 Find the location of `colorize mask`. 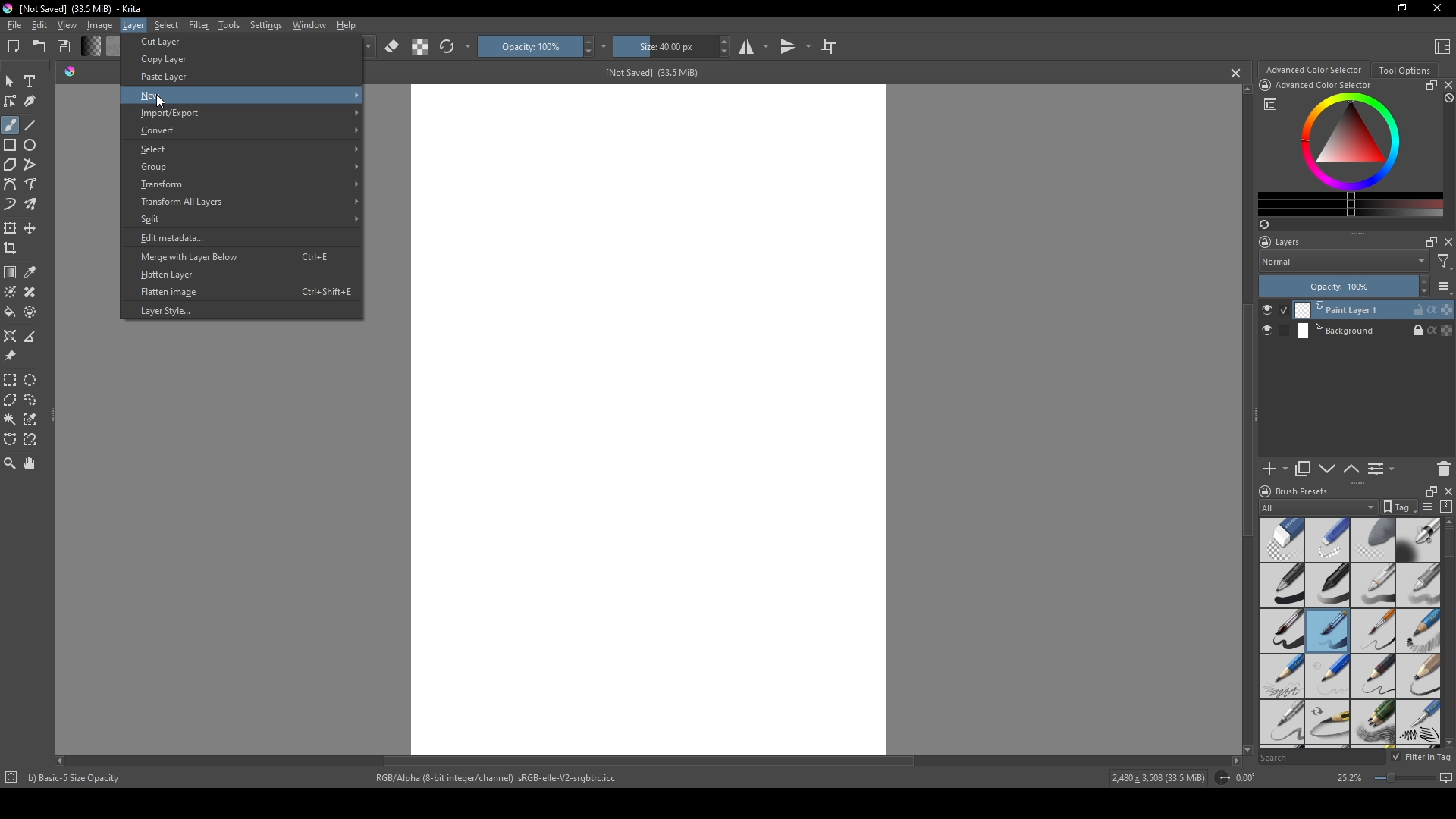

colorize mask is located at coordinates (11, 291).